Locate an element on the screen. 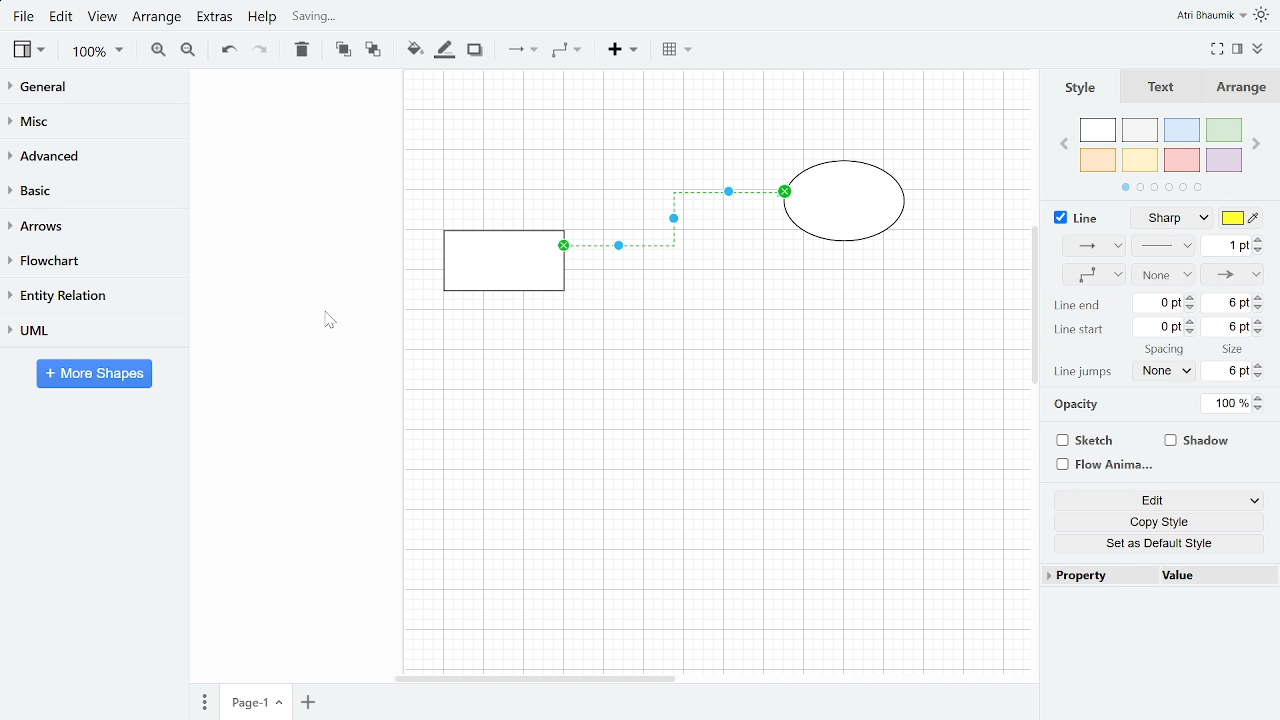 This screenshot has height=720, width=1280. Help is located at coordinates (263, 18).